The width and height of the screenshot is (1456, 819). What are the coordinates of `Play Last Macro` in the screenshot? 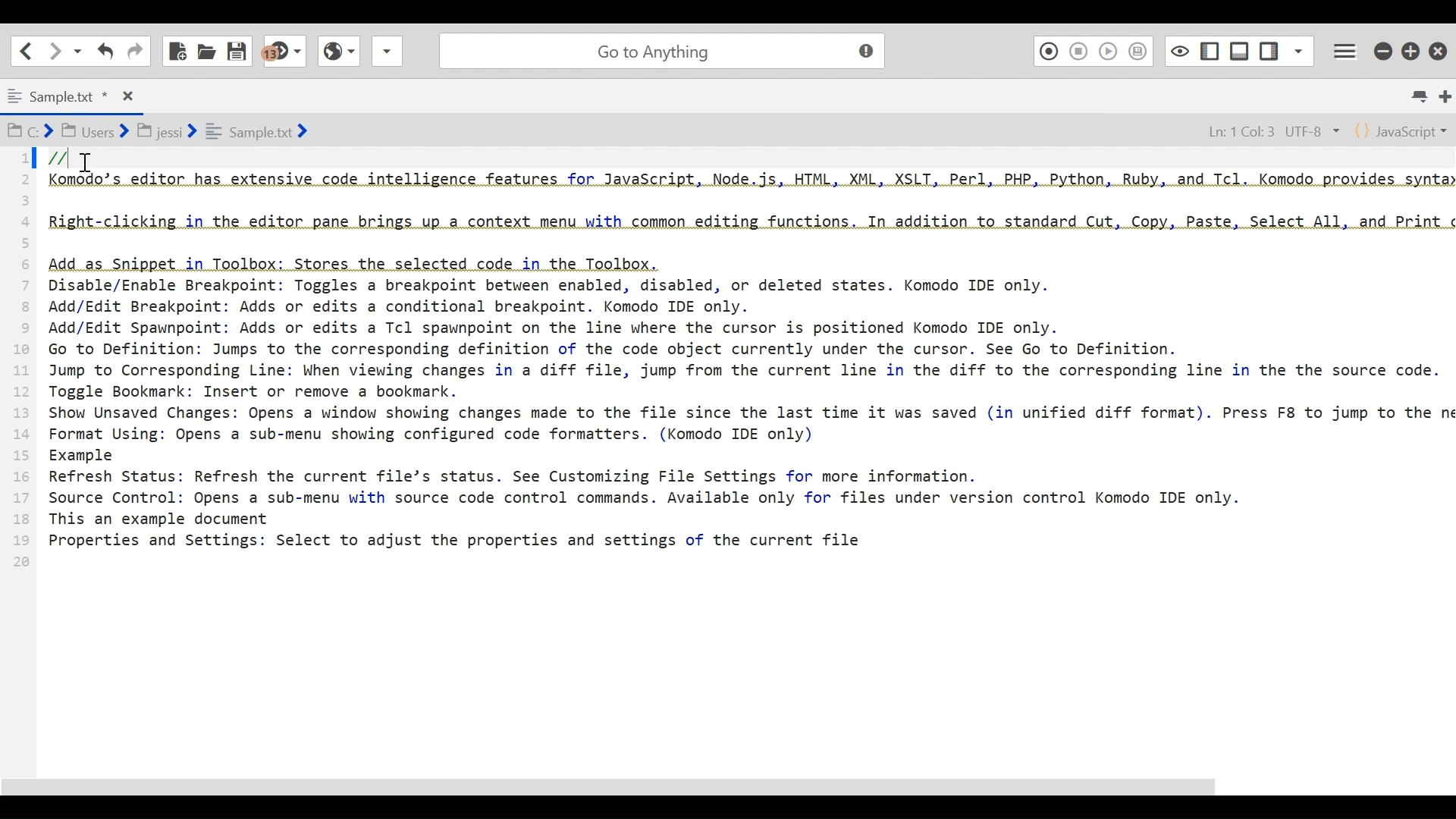 It's located at (1108, 50).